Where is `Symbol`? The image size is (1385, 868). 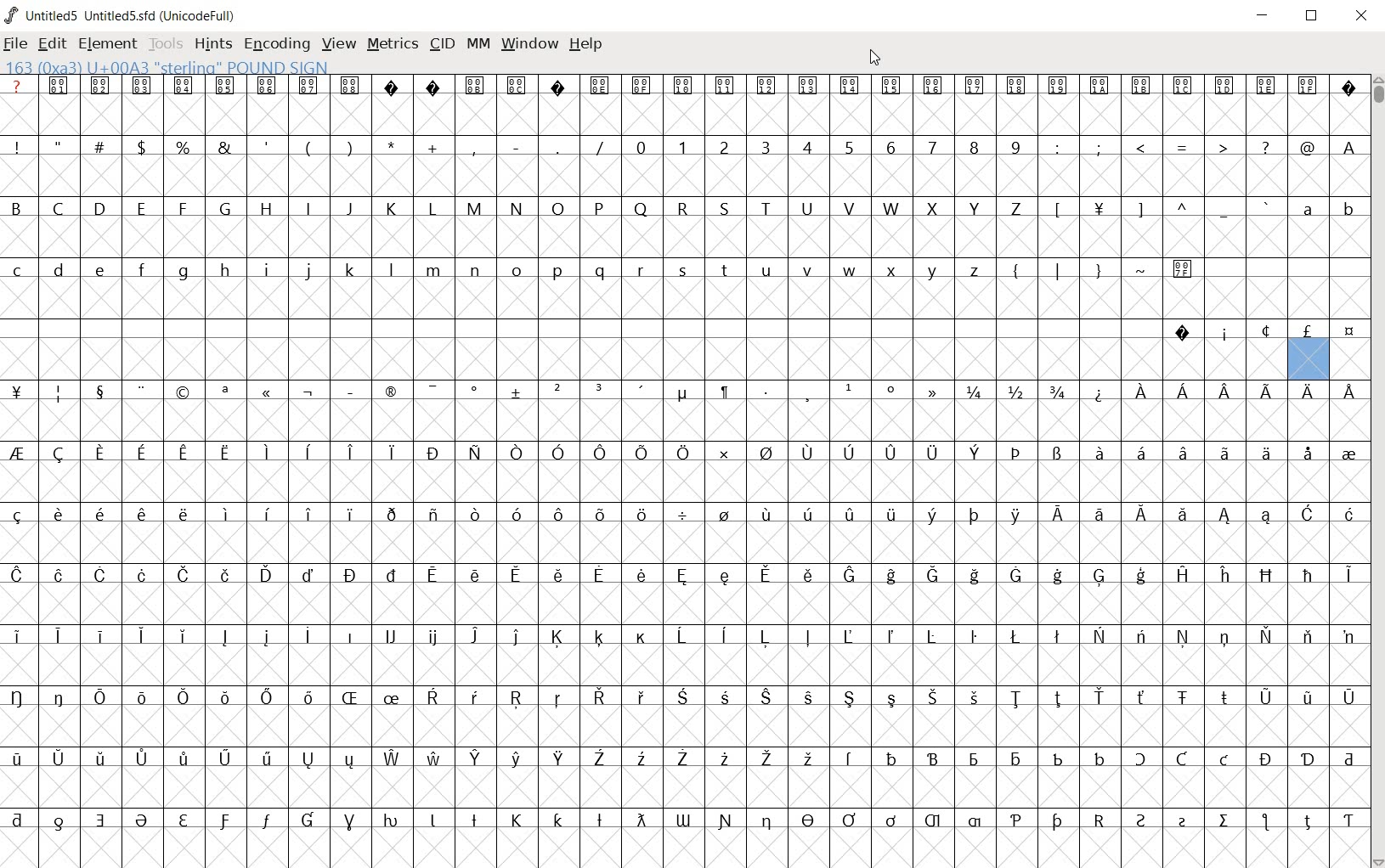 Symbol is located at coordinates (598, 454).